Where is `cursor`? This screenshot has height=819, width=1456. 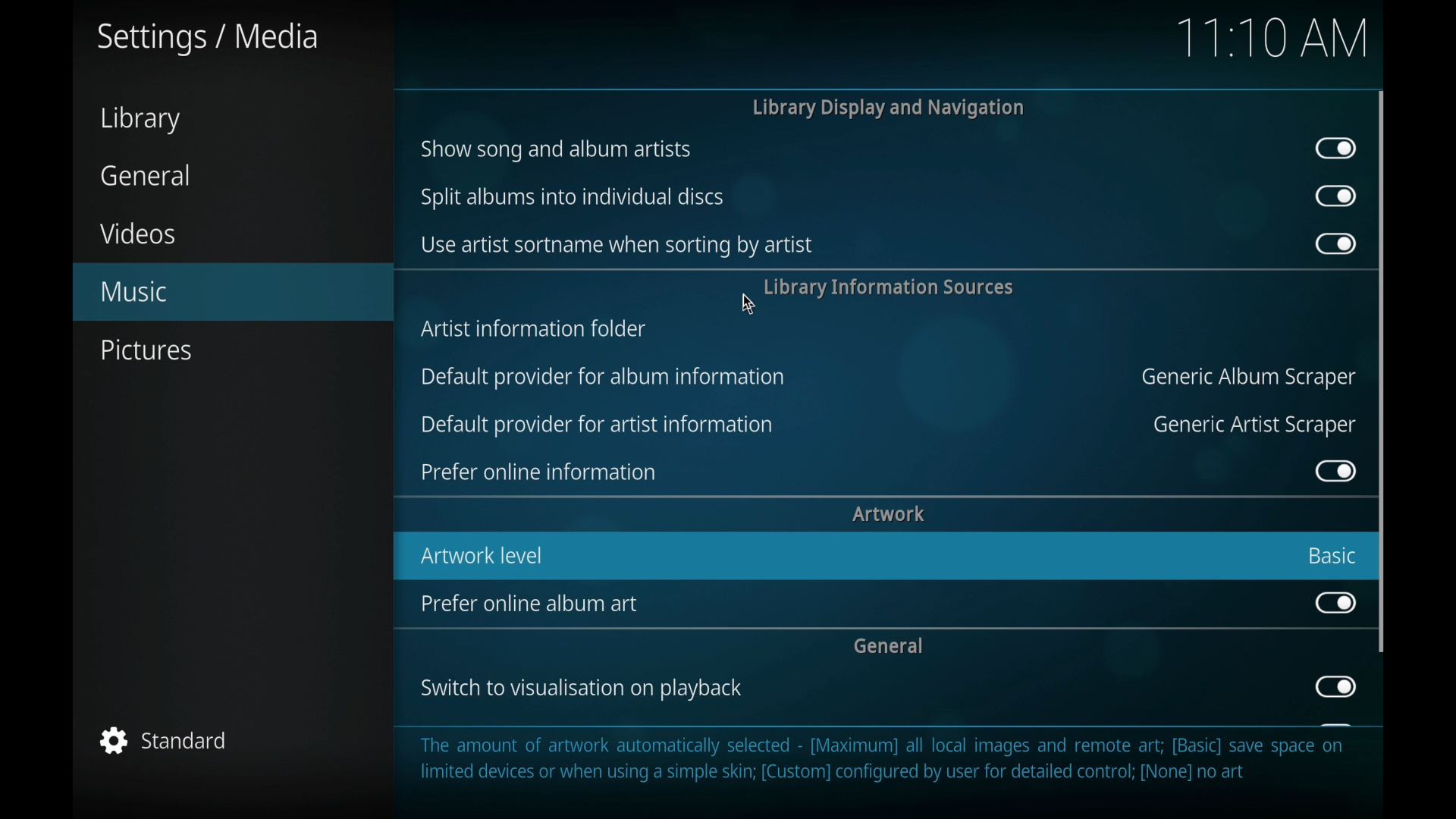 cursor is located at coordinates (747, 304).